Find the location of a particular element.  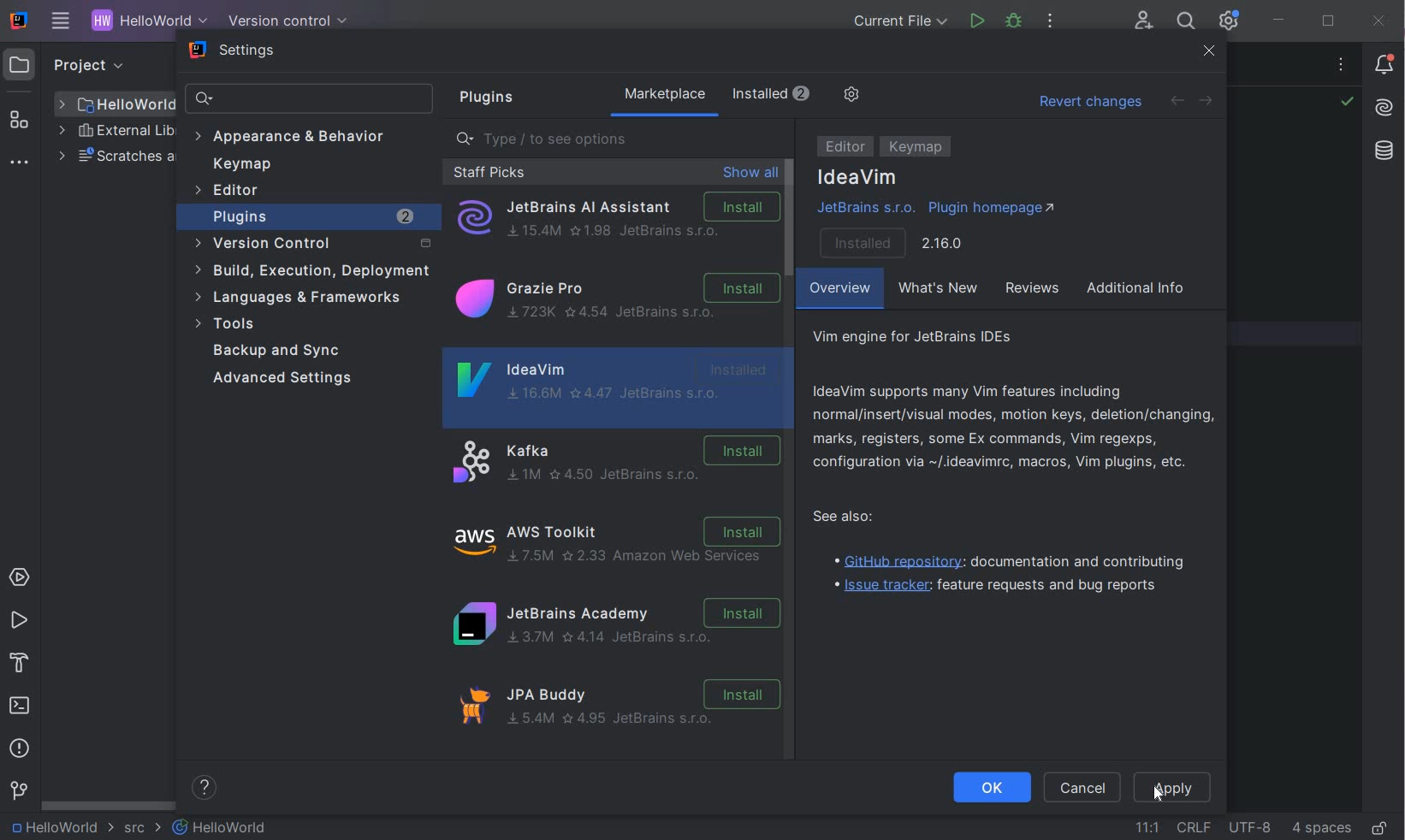

NOTIFICATIONS is located at coordinates (1385, 63).